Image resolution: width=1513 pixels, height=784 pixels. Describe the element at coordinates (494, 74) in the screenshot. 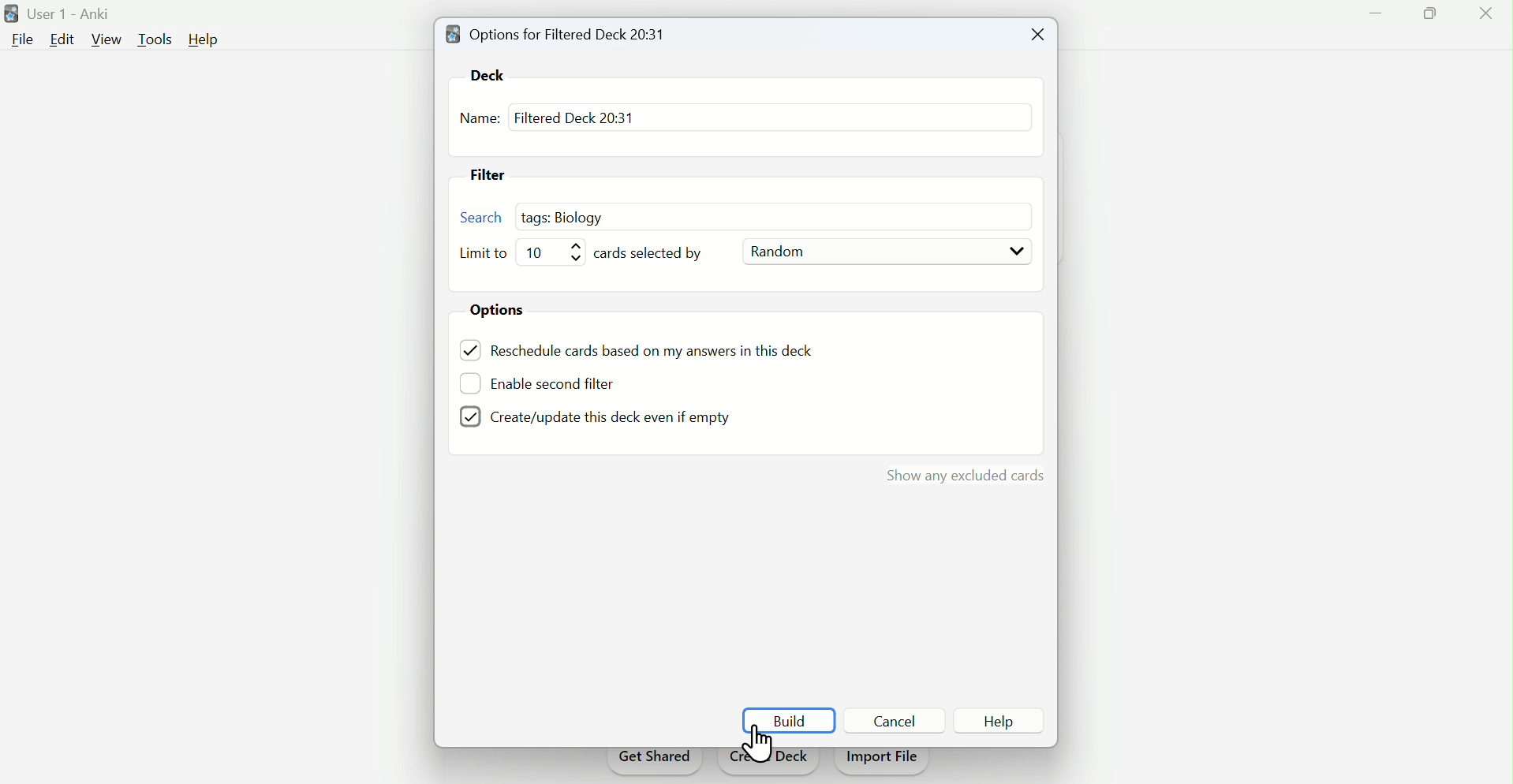

I see `Dek` at that location.